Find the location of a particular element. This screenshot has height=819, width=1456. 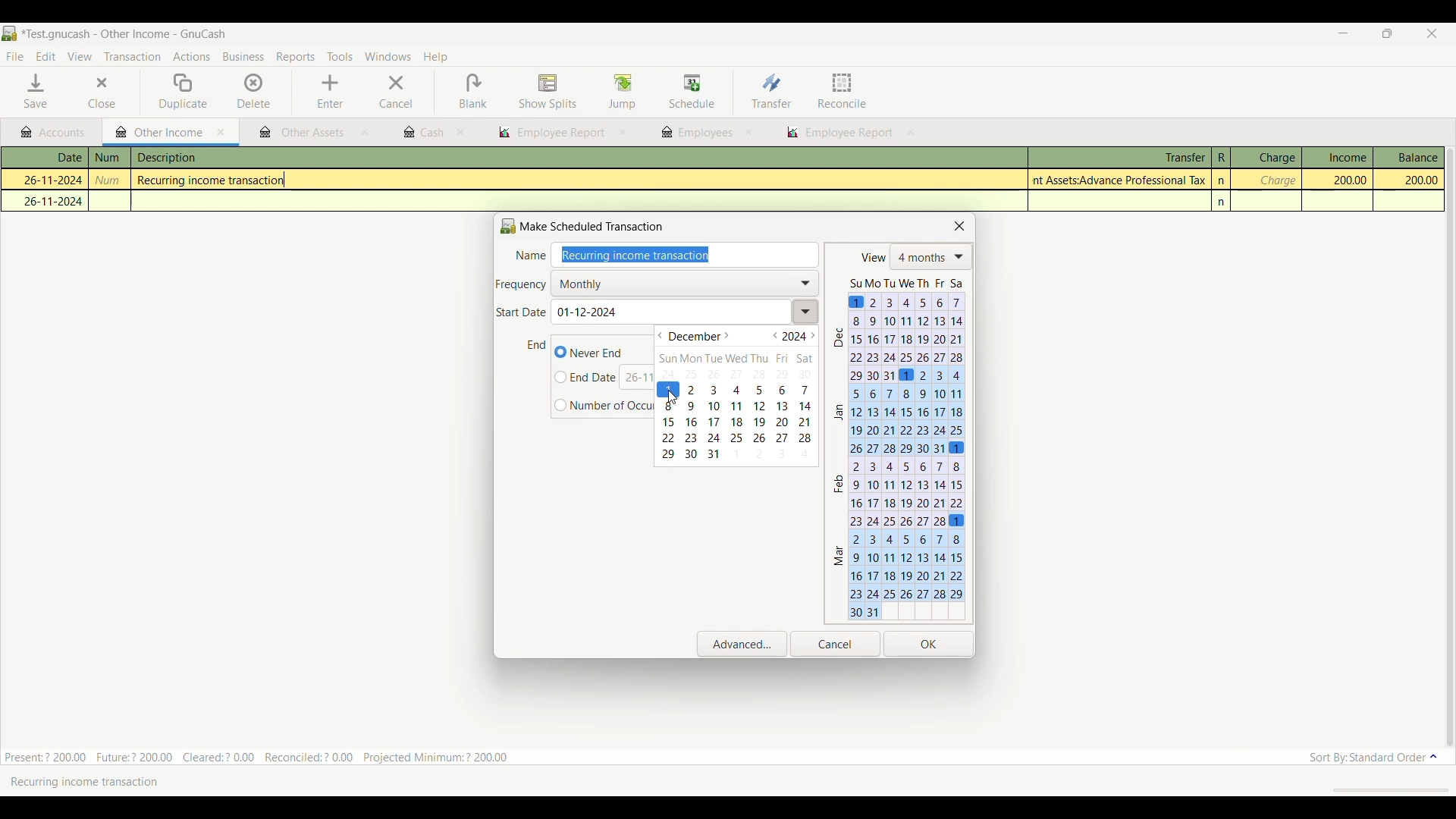

Recurring income transaction is located at coordinates (217, 180).